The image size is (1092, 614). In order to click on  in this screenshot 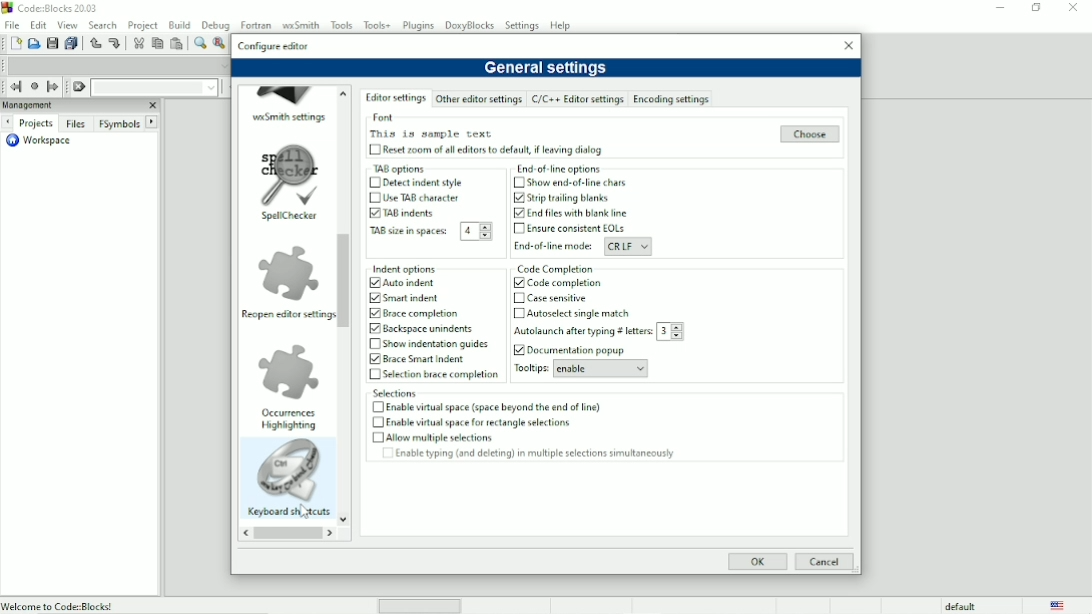, I will do `click(517, 228)`.